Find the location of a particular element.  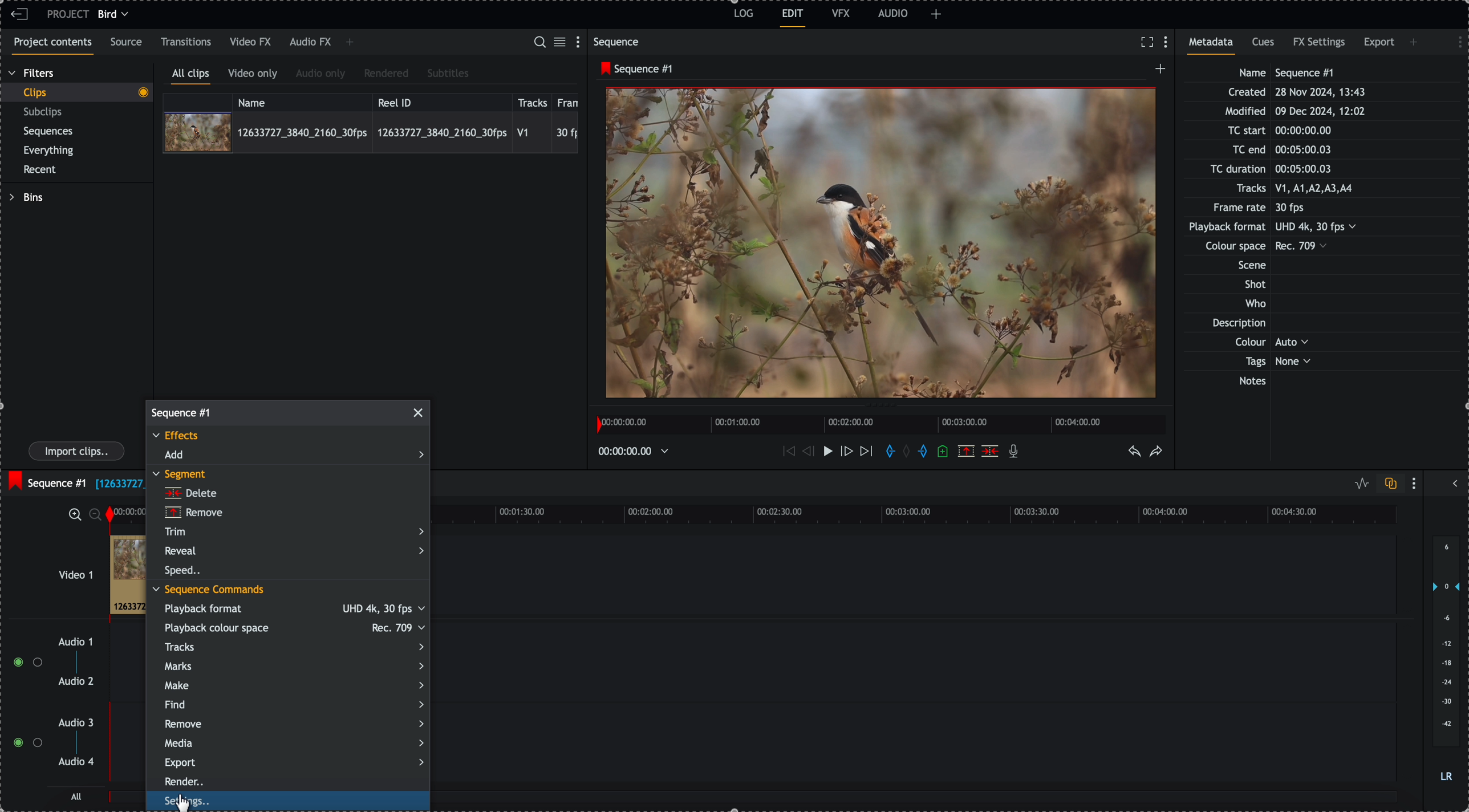

make is located at coordinates (293, 685).